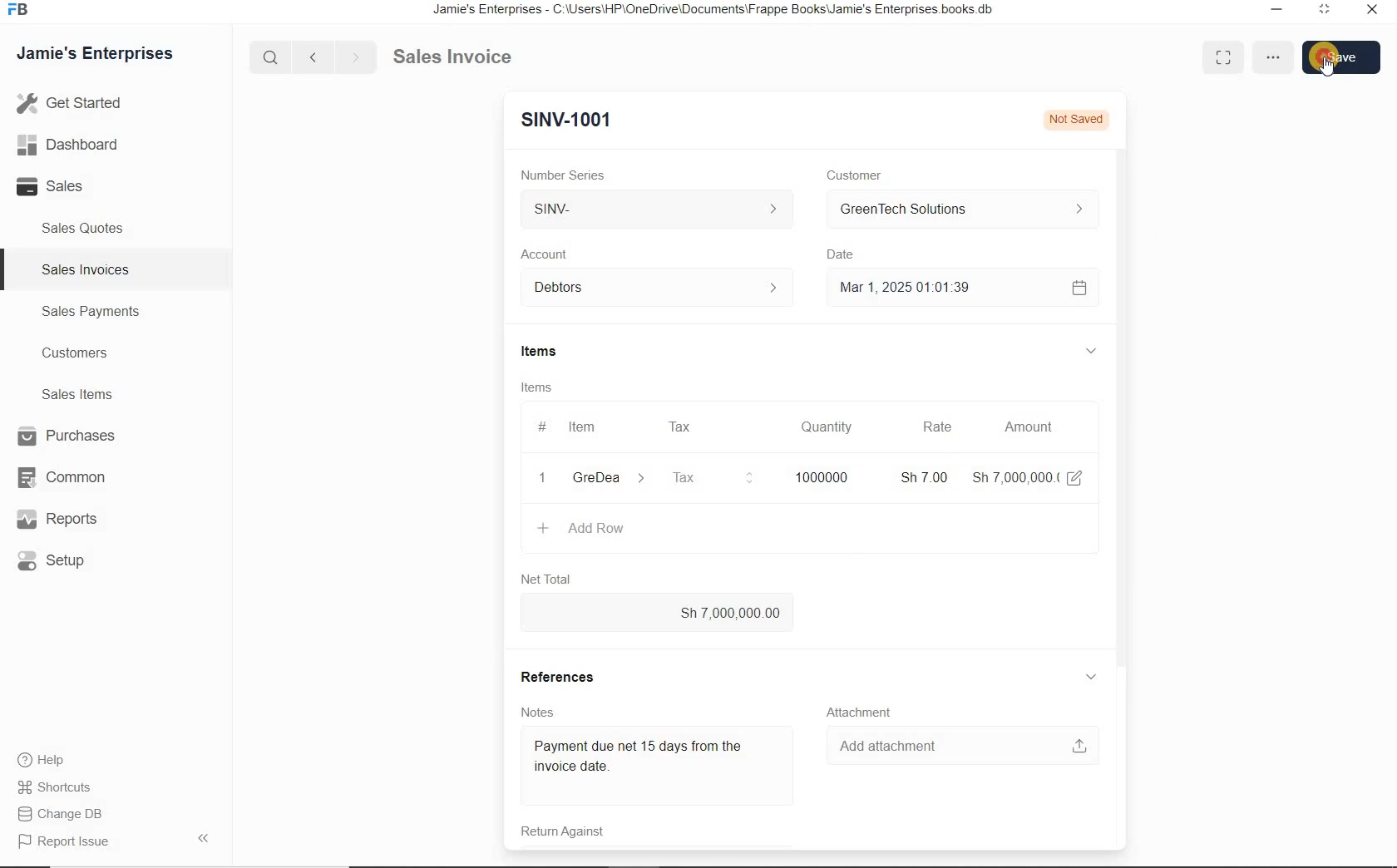  I want to click on Debtors, so click(649, 288).